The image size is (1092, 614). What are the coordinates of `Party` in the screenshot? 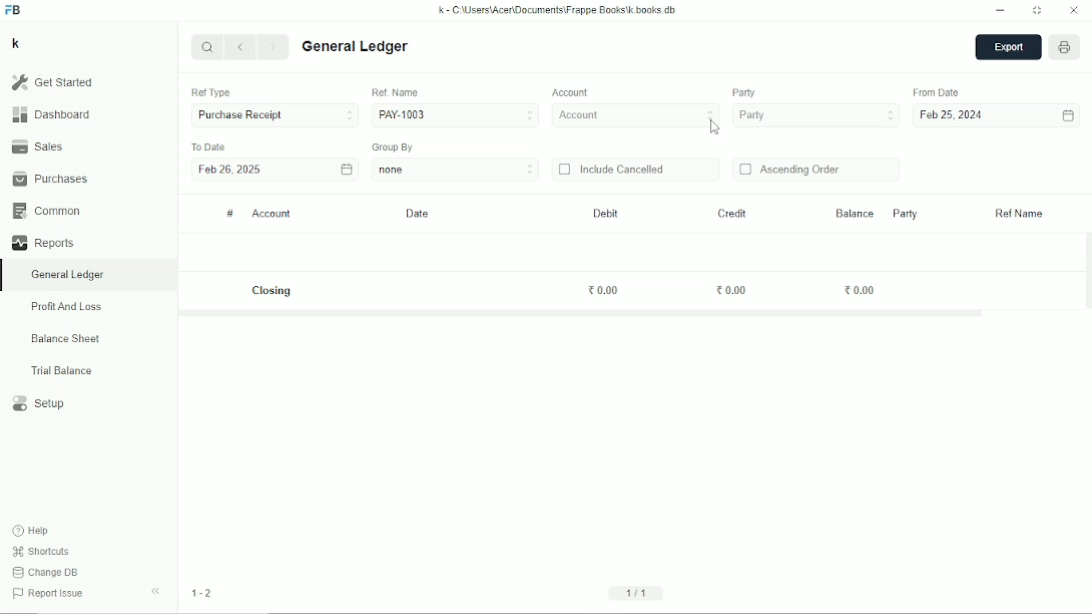 It's located at (816, 116).